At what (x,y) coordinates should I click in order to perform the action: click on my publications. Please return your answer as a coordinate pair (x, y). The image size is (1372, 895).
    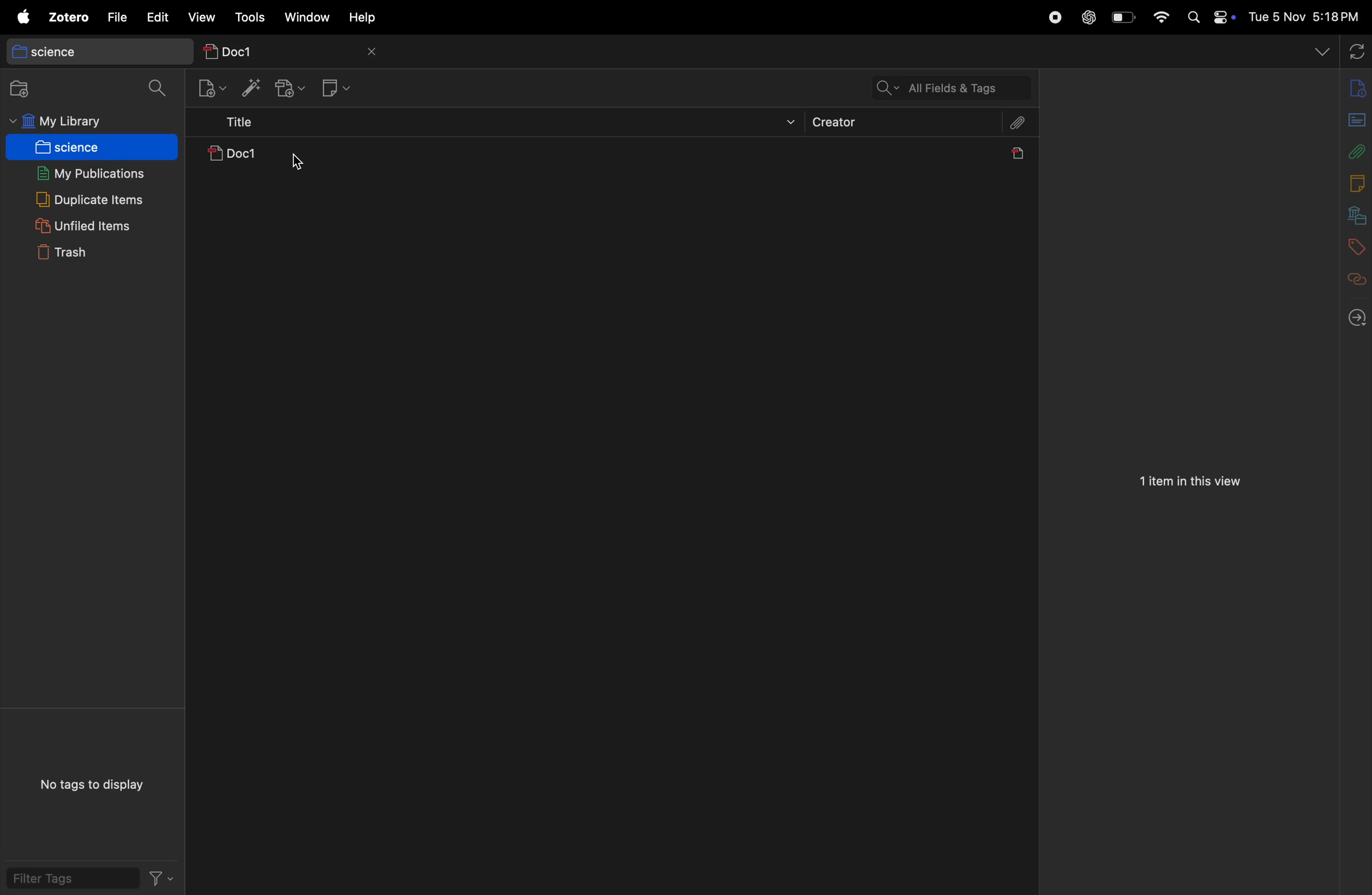
    Looking at the image, I should click on (89, 170).